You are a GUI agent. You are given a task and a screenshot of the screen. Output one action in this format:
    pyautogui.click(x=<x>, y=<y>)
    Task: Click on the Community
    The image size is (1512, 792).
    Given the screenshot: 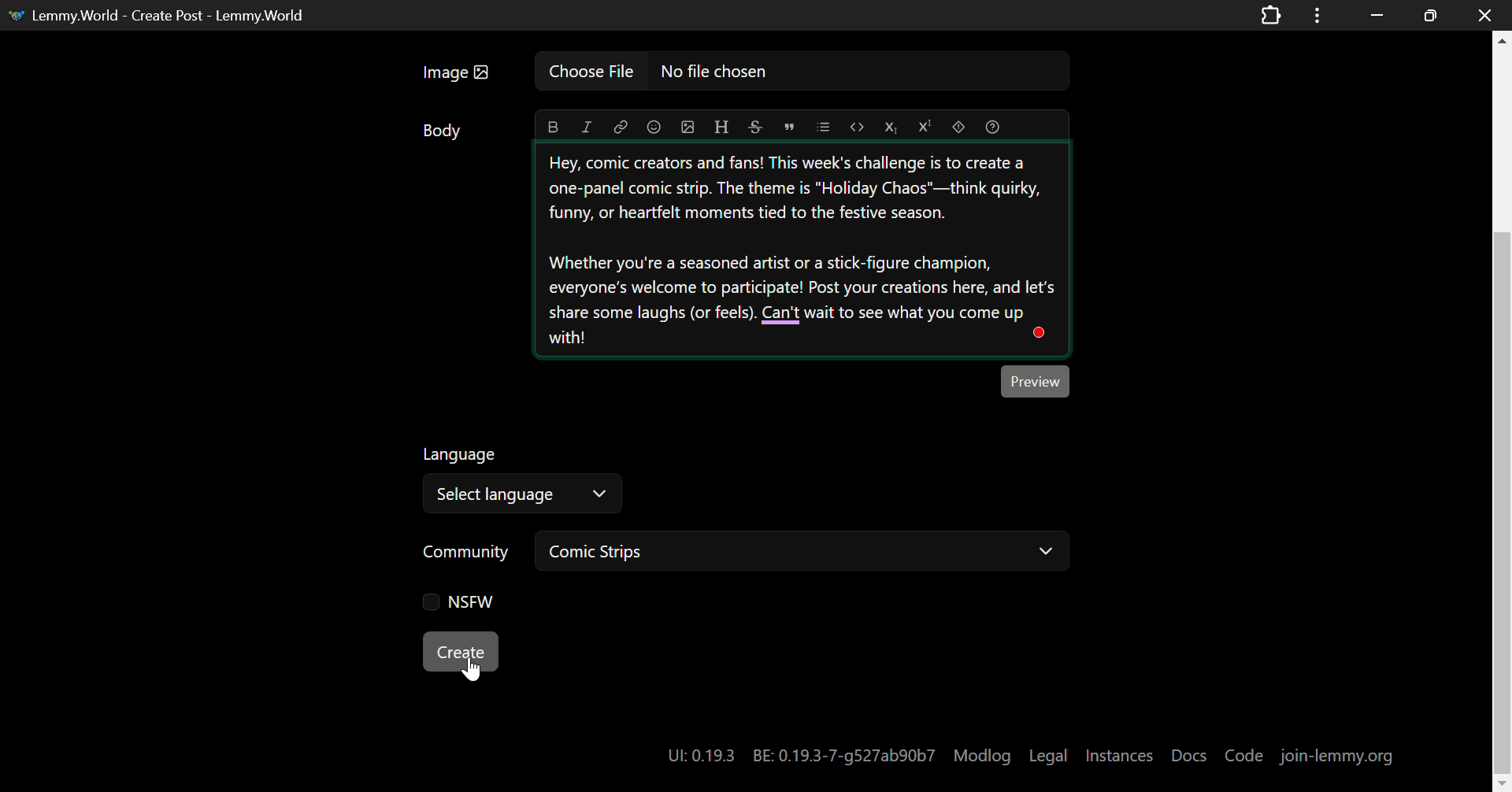 What is the action you would take?
    pyautogui.click(x=468, y=550)
    